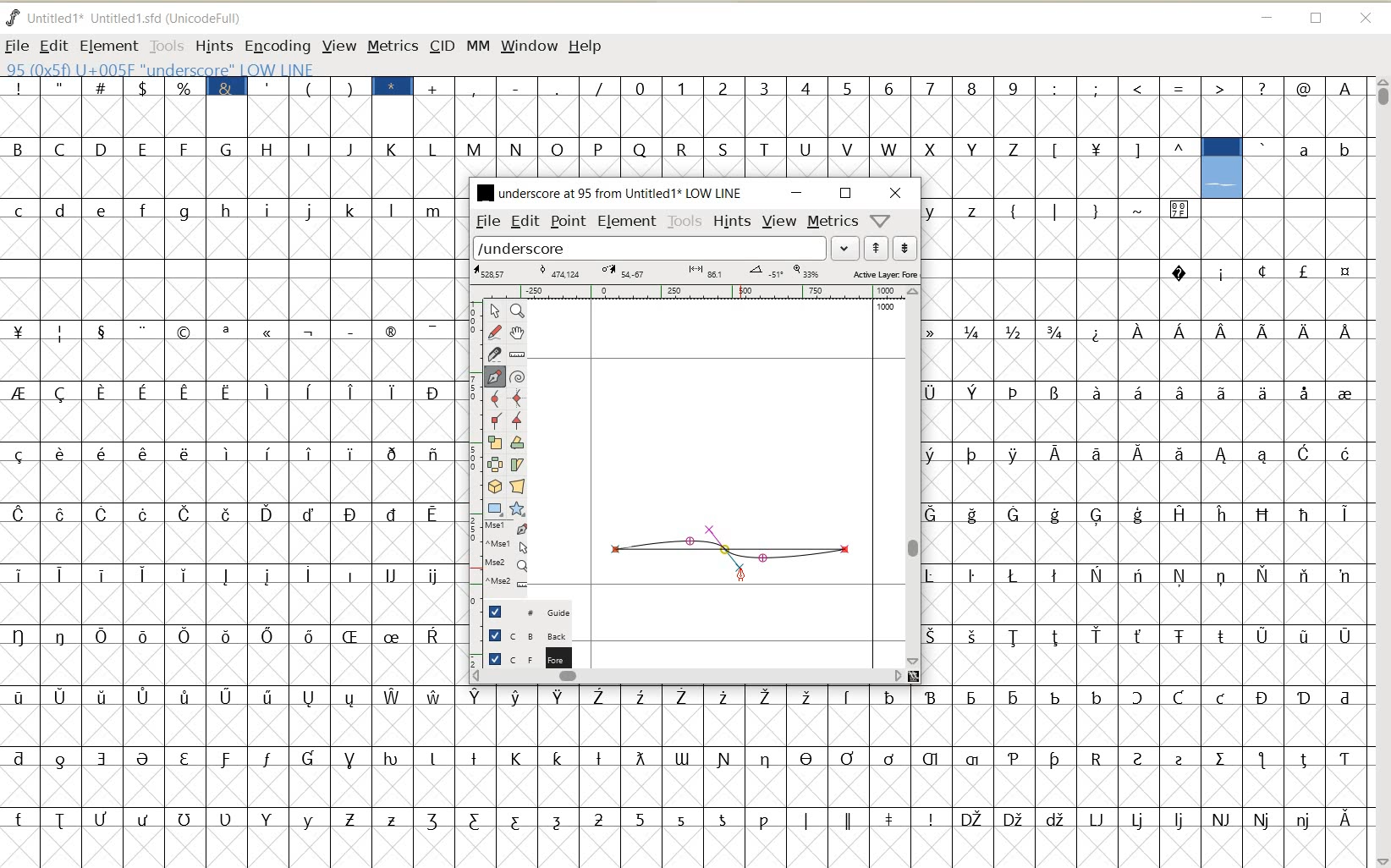 This screenshot has width=1391, height=868. Describe the element at coordinates (493, 442) in the screenshot. I see `scale the selection` at that location.